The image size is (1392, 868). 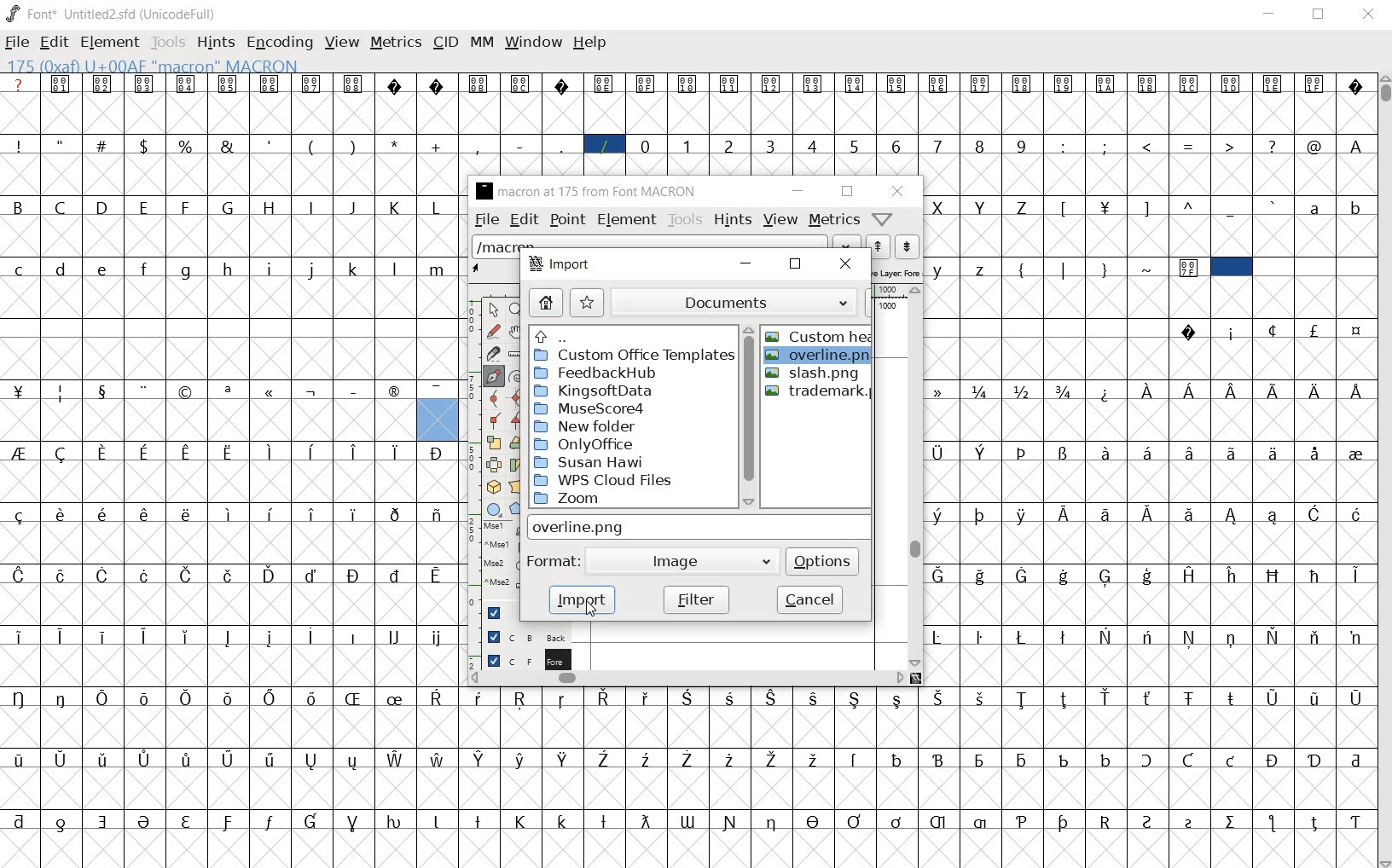 I want to click on Symbol, so click(x=731, y=758).